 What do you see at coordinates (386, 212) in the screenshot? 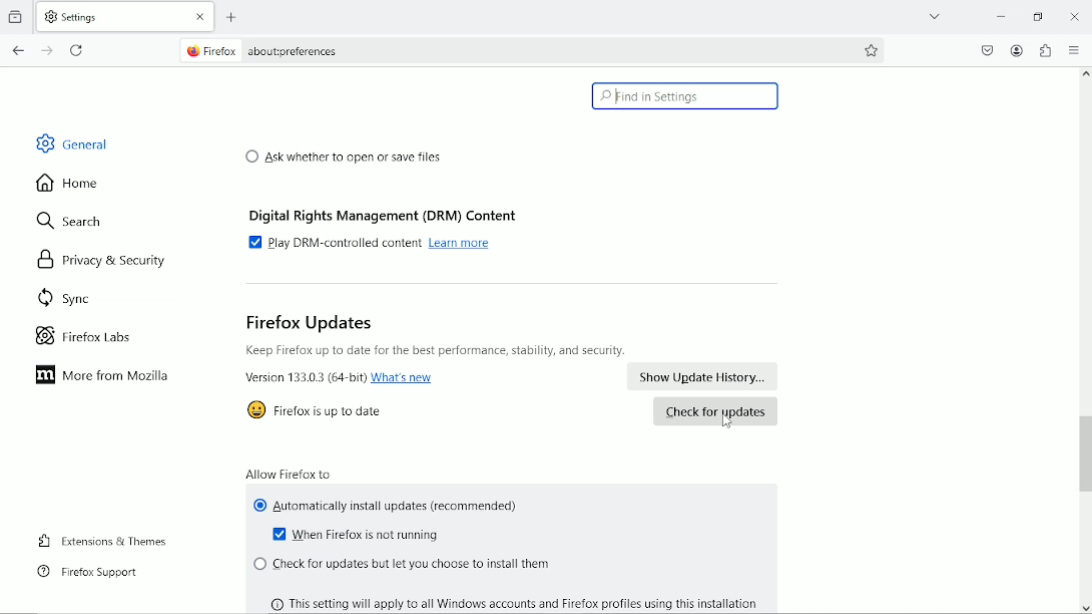
I see `Digital Rights Management (DRM) Content` at bounding box center [386, 212].